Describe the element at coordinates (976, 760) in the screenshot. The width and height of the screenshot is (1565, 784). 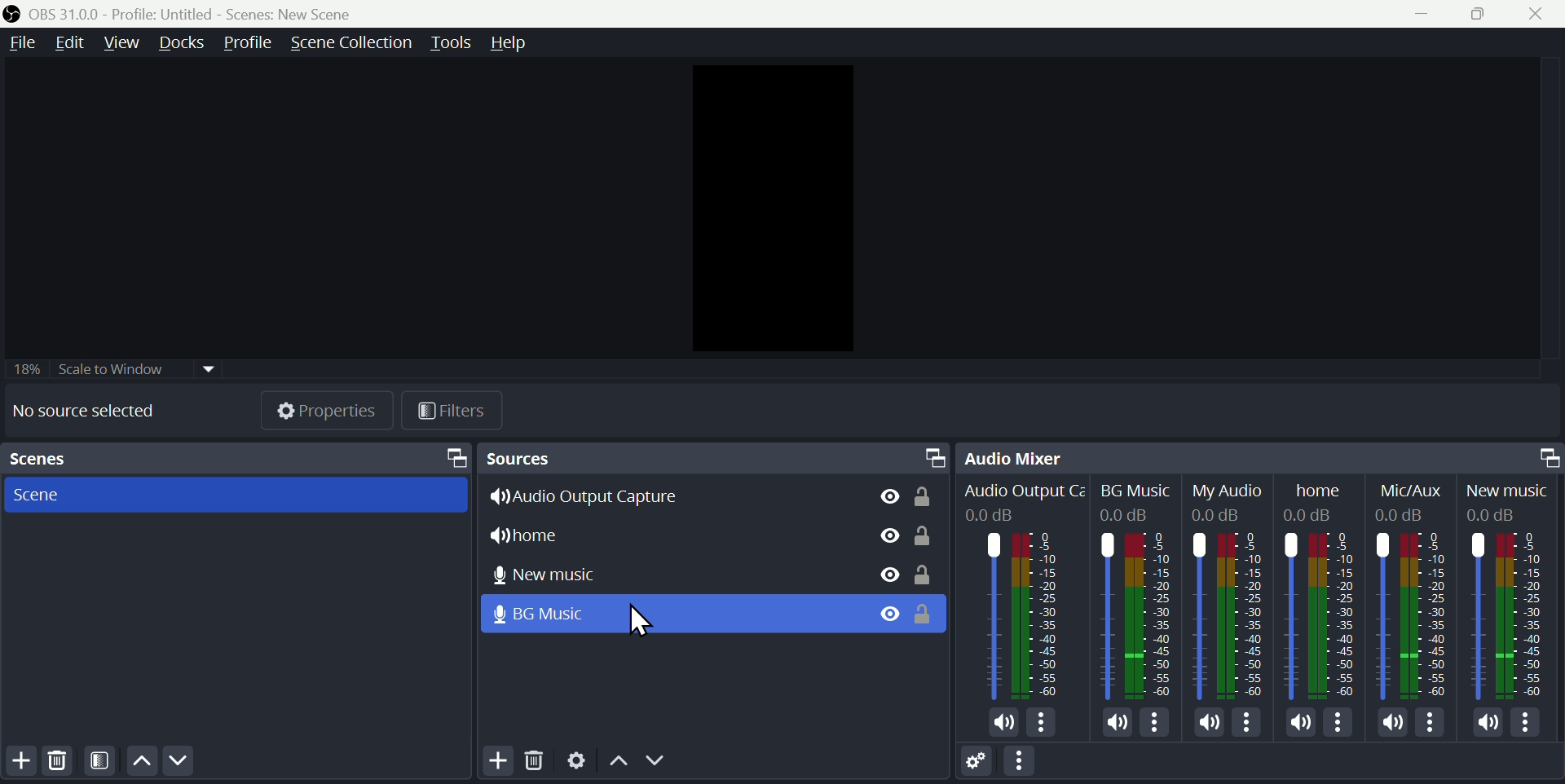
I see `Settings` at that location.